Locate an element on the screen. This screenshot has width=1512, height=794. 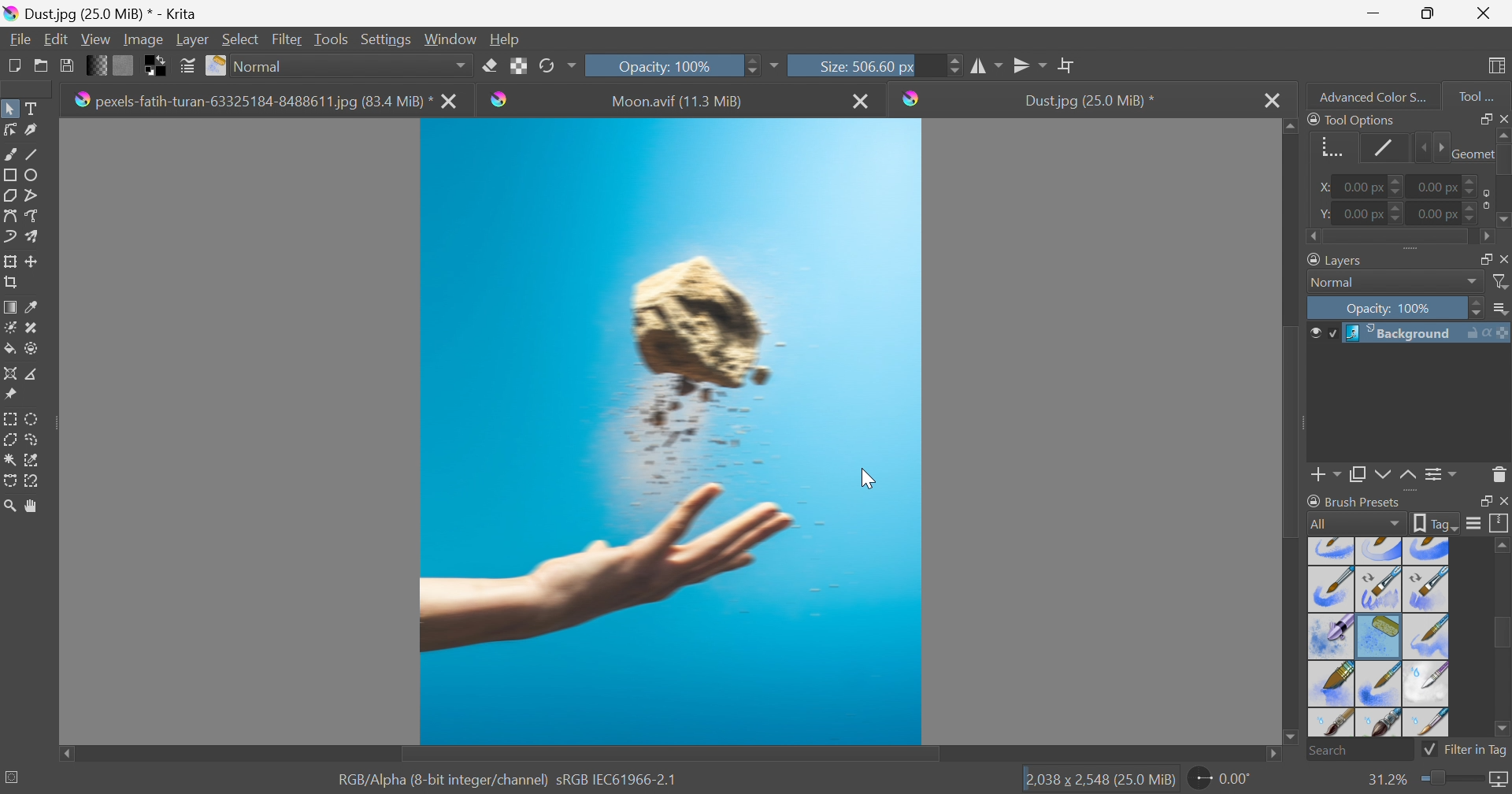
Geometry is located at coordinates (1470, 152).